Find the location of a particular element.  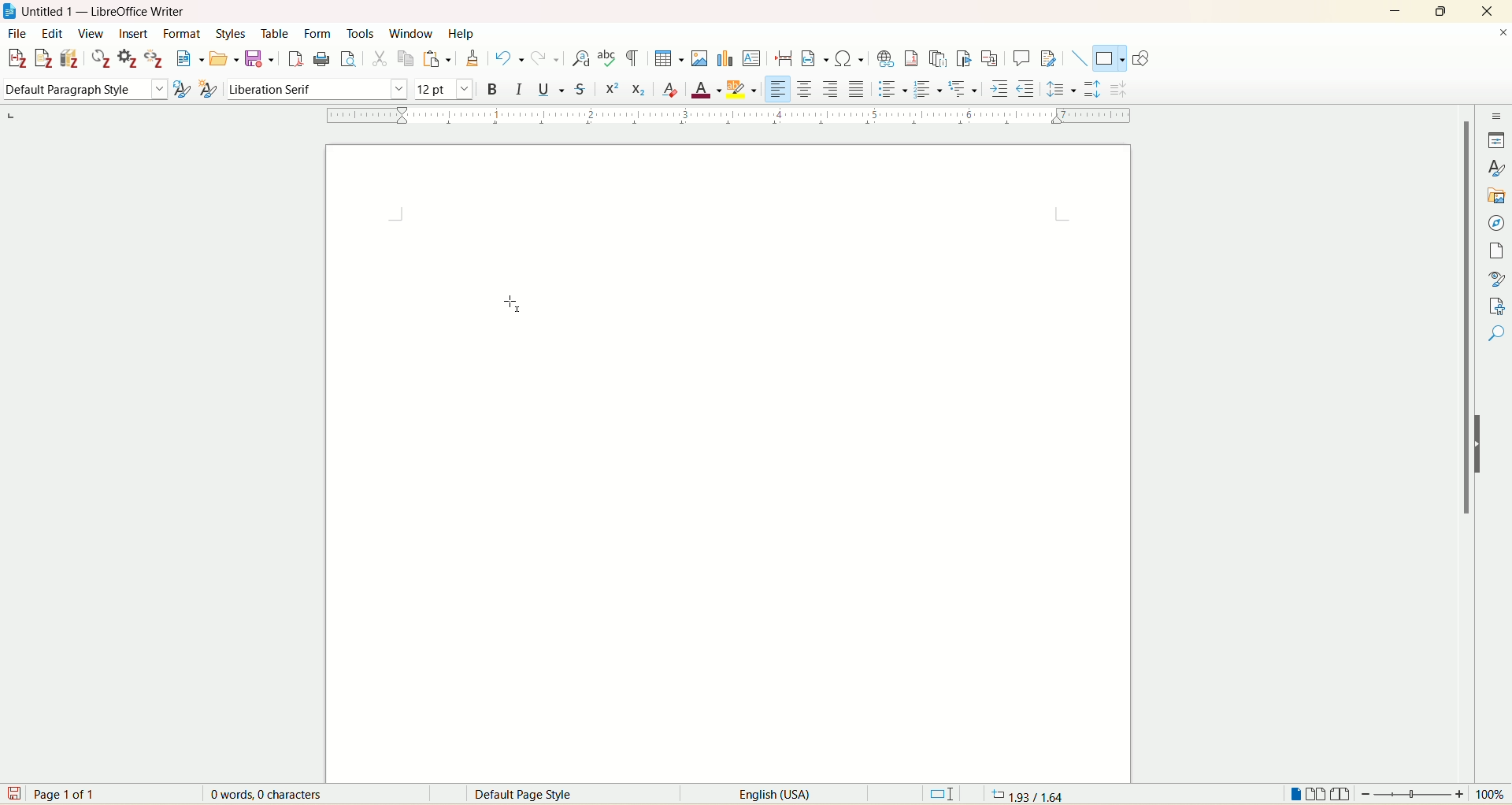

insert cross references is located at coordinates (990, 57).